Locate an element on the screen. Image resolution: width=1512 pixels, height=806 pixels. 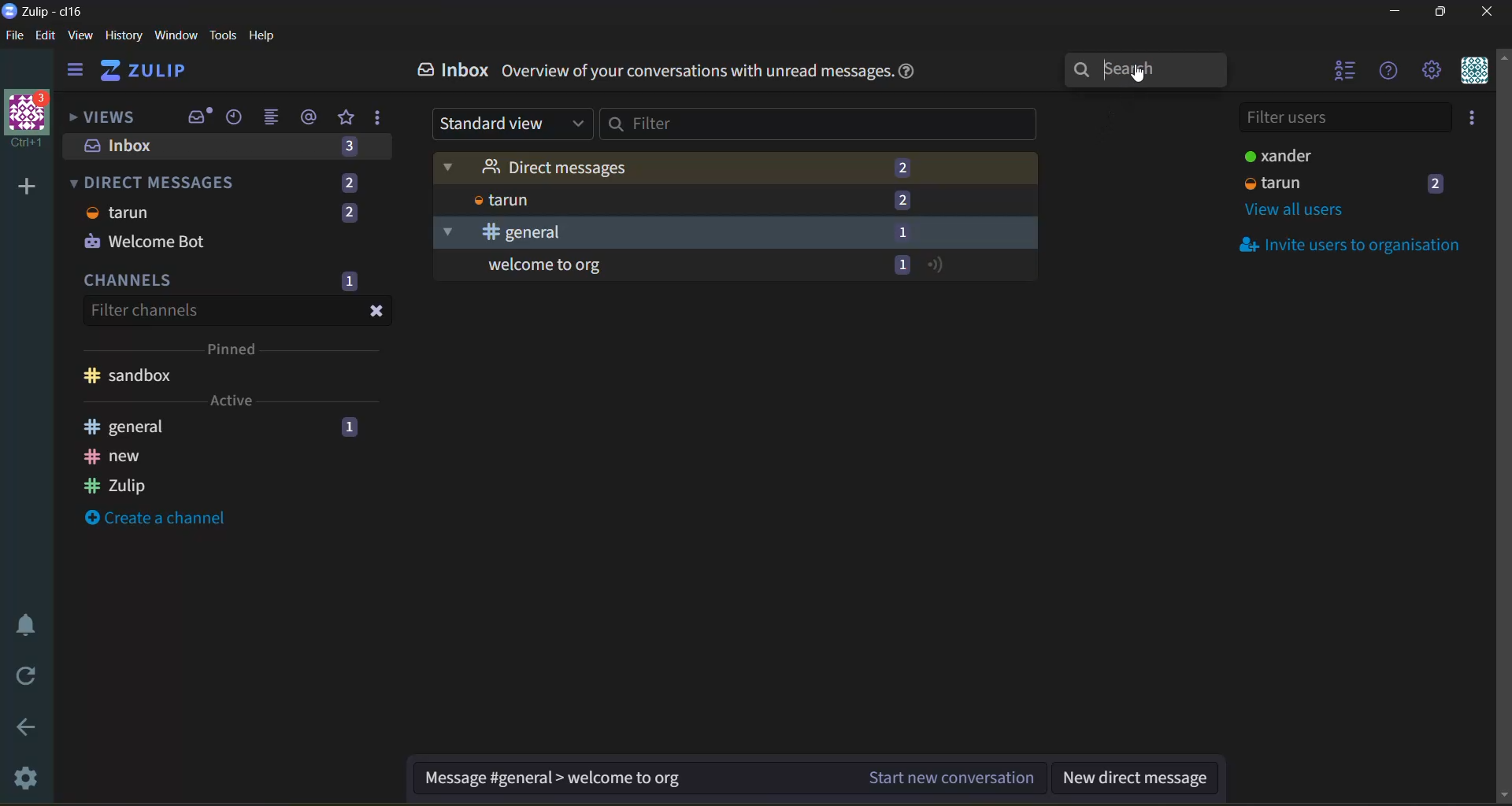
1 is located at coordinates (350, 427).